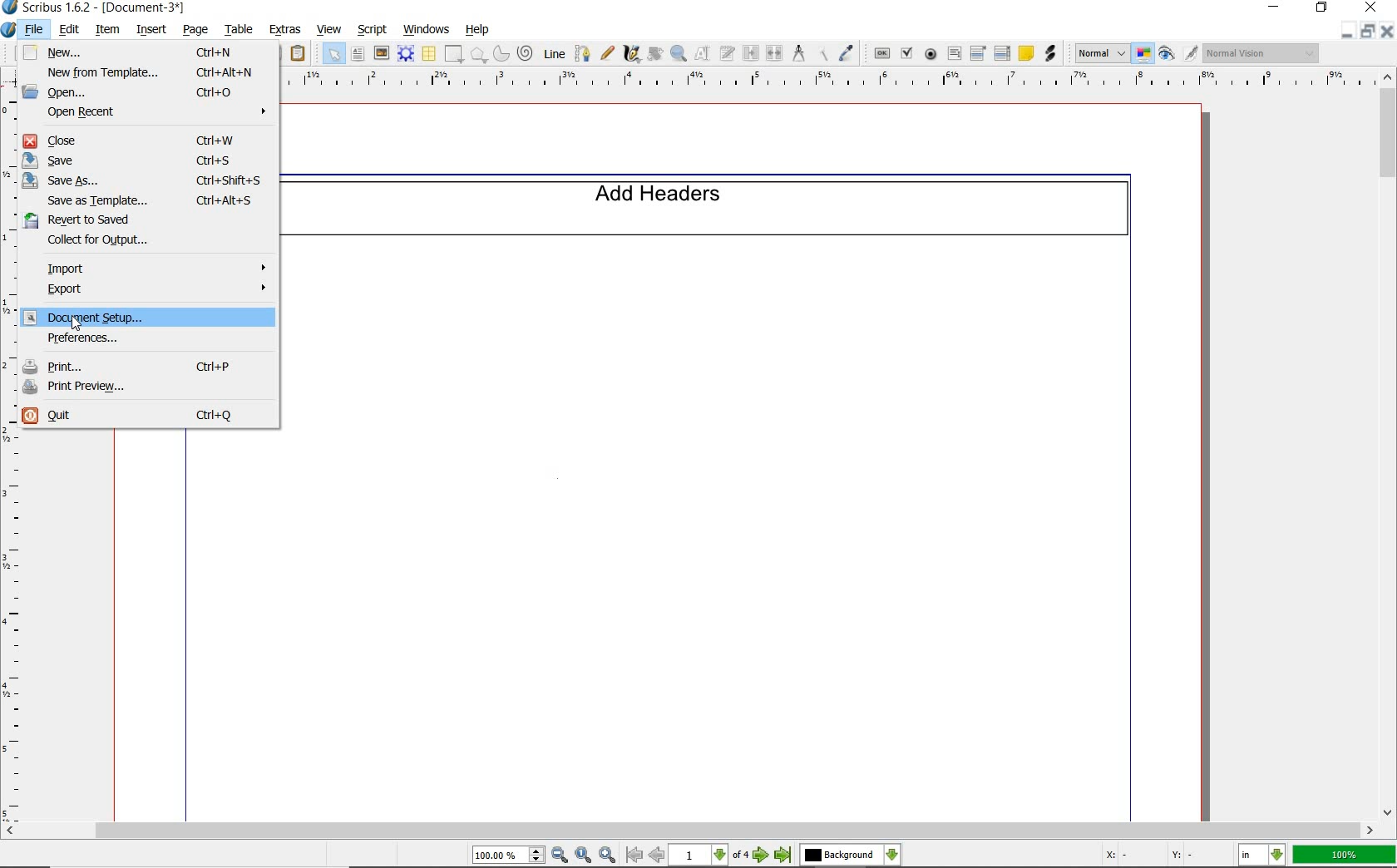  What do you see at coordinates (477, 31) in the screenshot?
I see `help` at bounding box center [477, 31].